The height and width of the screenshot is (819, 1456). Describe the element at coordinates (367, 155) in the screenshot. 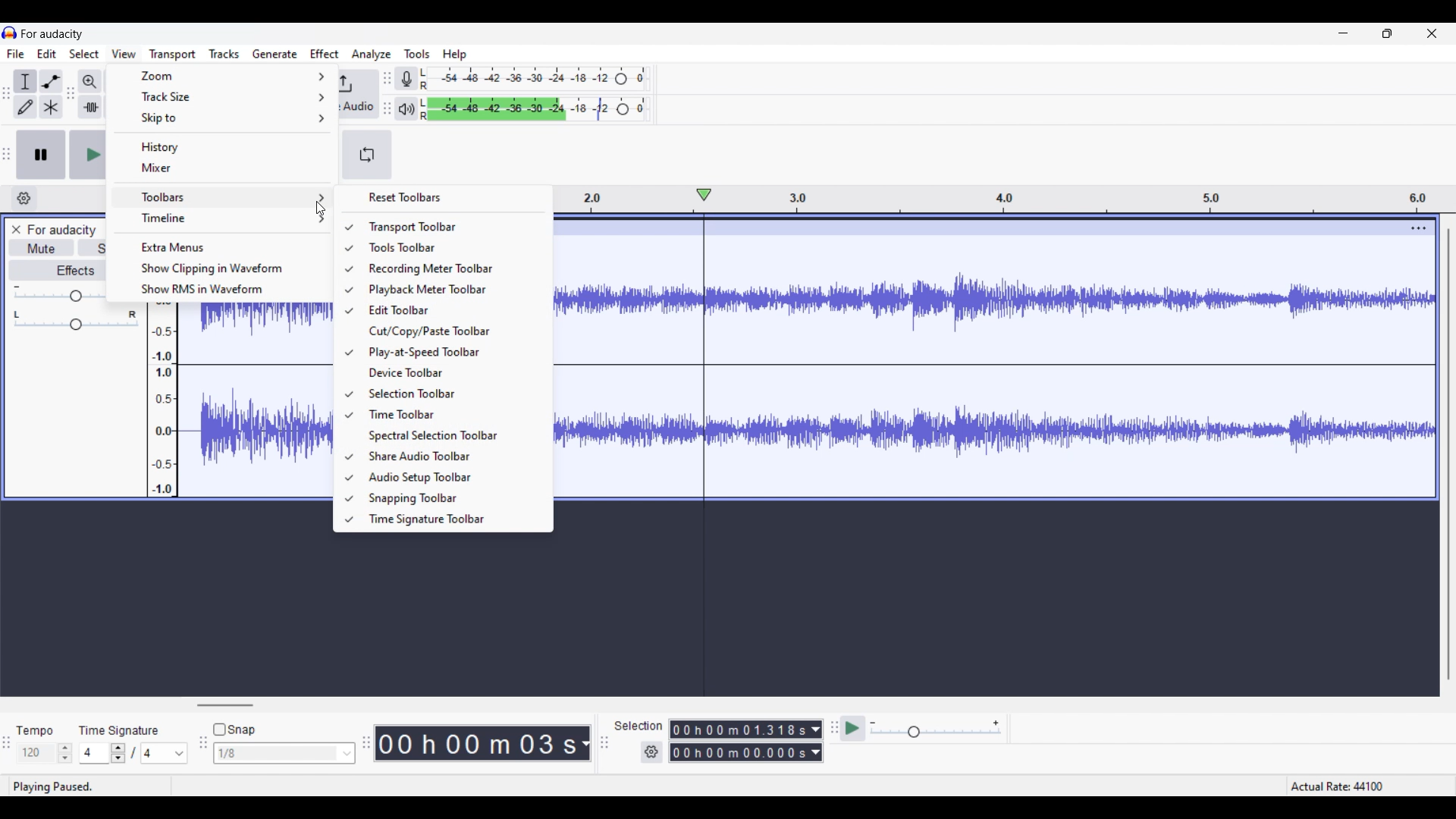

I see `Enable looping` at that location.